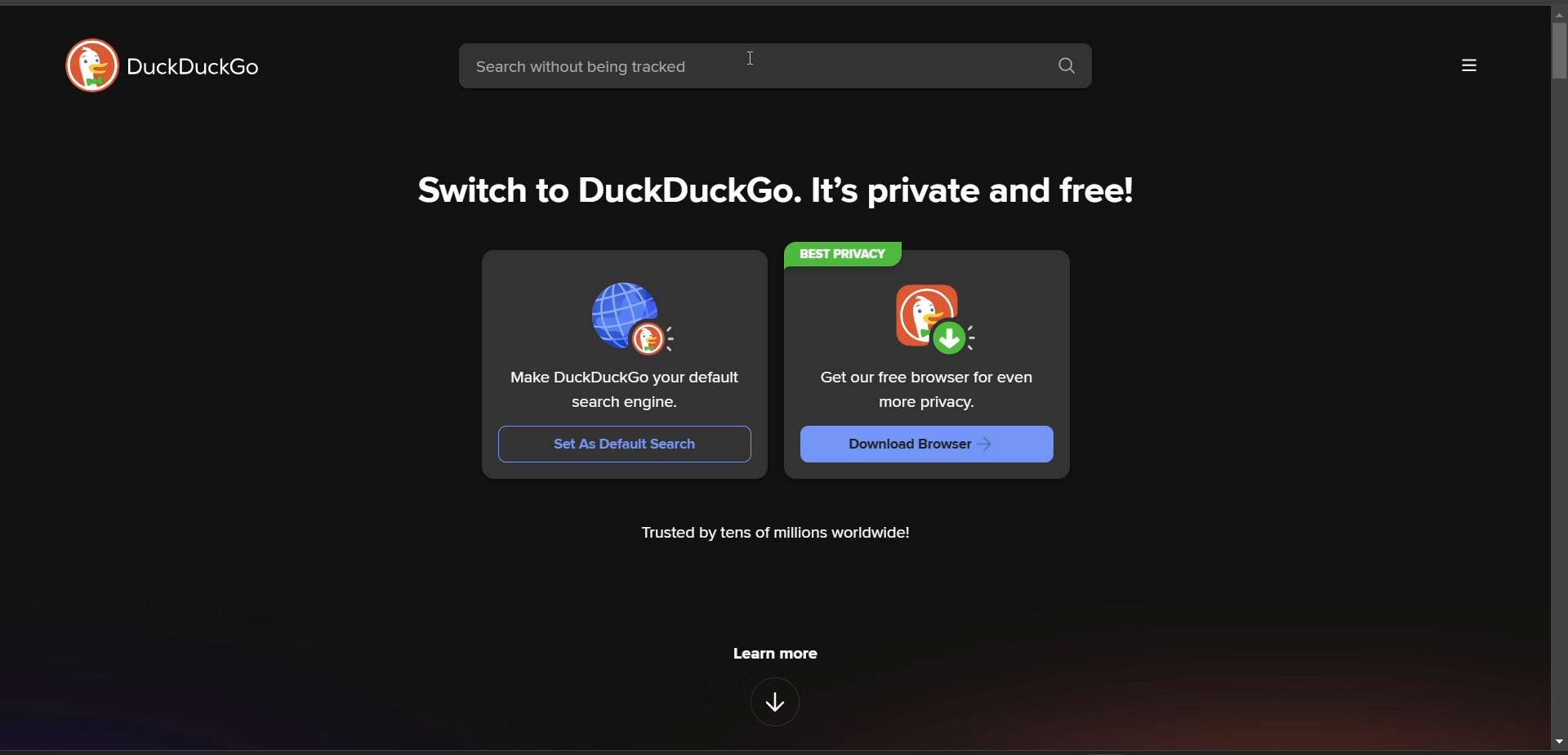 The width and height of the screenshot is (1568, 755). What do you see at coordinates (775, 652) in the screenshot?
I see `learn more` at bounding box center [775, 652].